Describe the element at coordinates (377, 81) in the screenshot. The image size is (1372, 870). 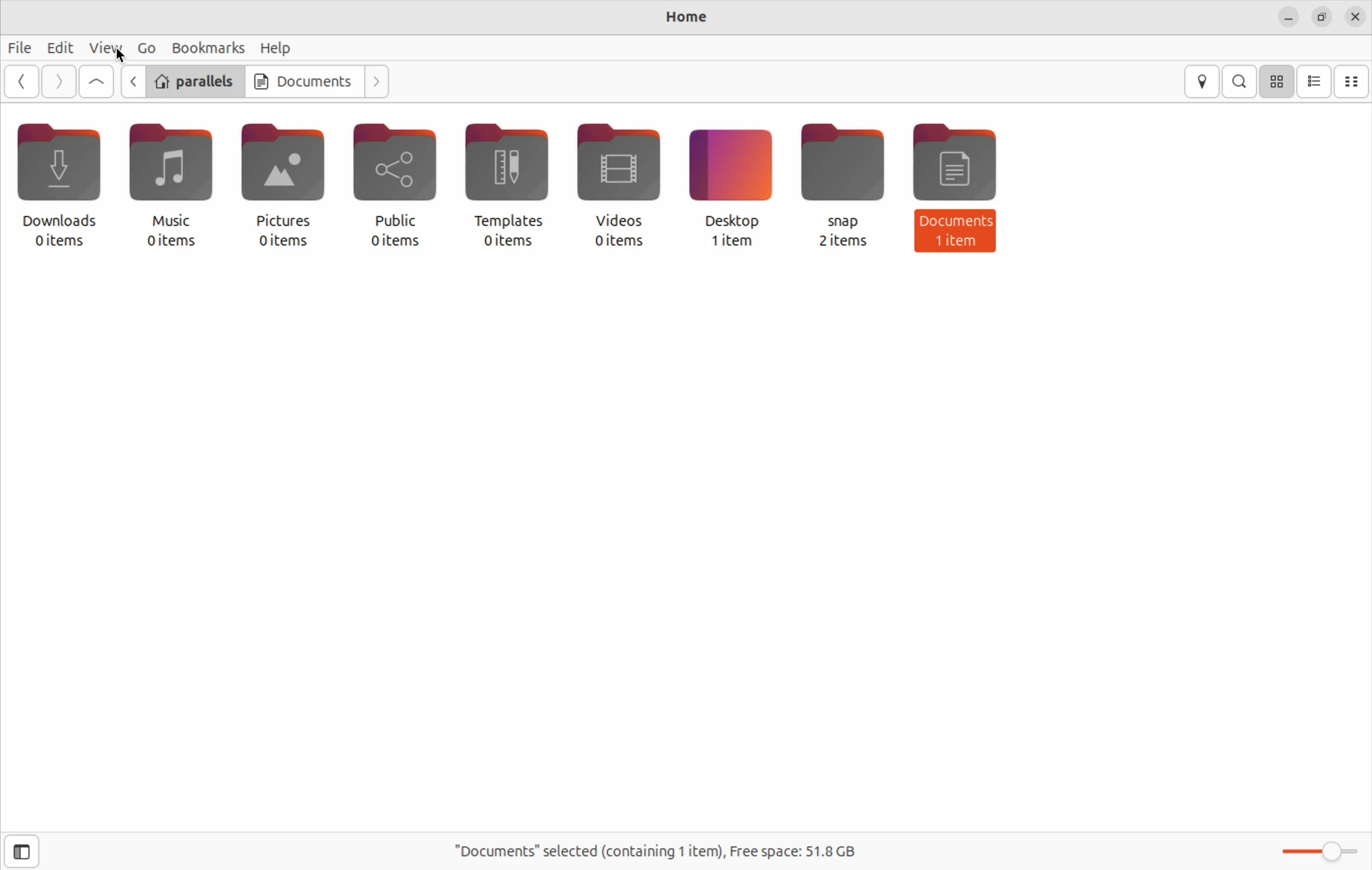
I see `next` at that location.